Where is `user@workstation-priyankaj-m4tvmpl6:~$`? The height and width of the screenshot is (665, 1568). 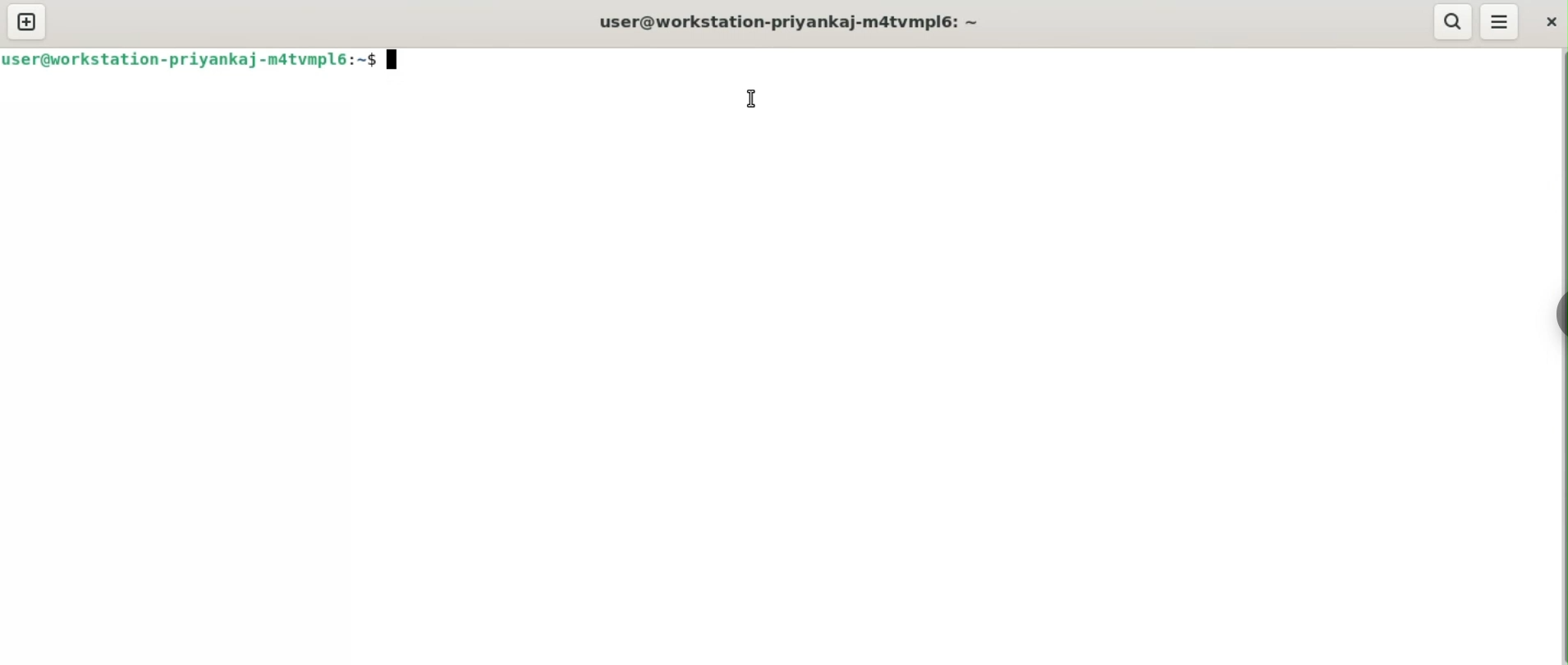
user@workstation-priyankaj-m4tvmpl6:~$ is located at coordinates (199, 58).